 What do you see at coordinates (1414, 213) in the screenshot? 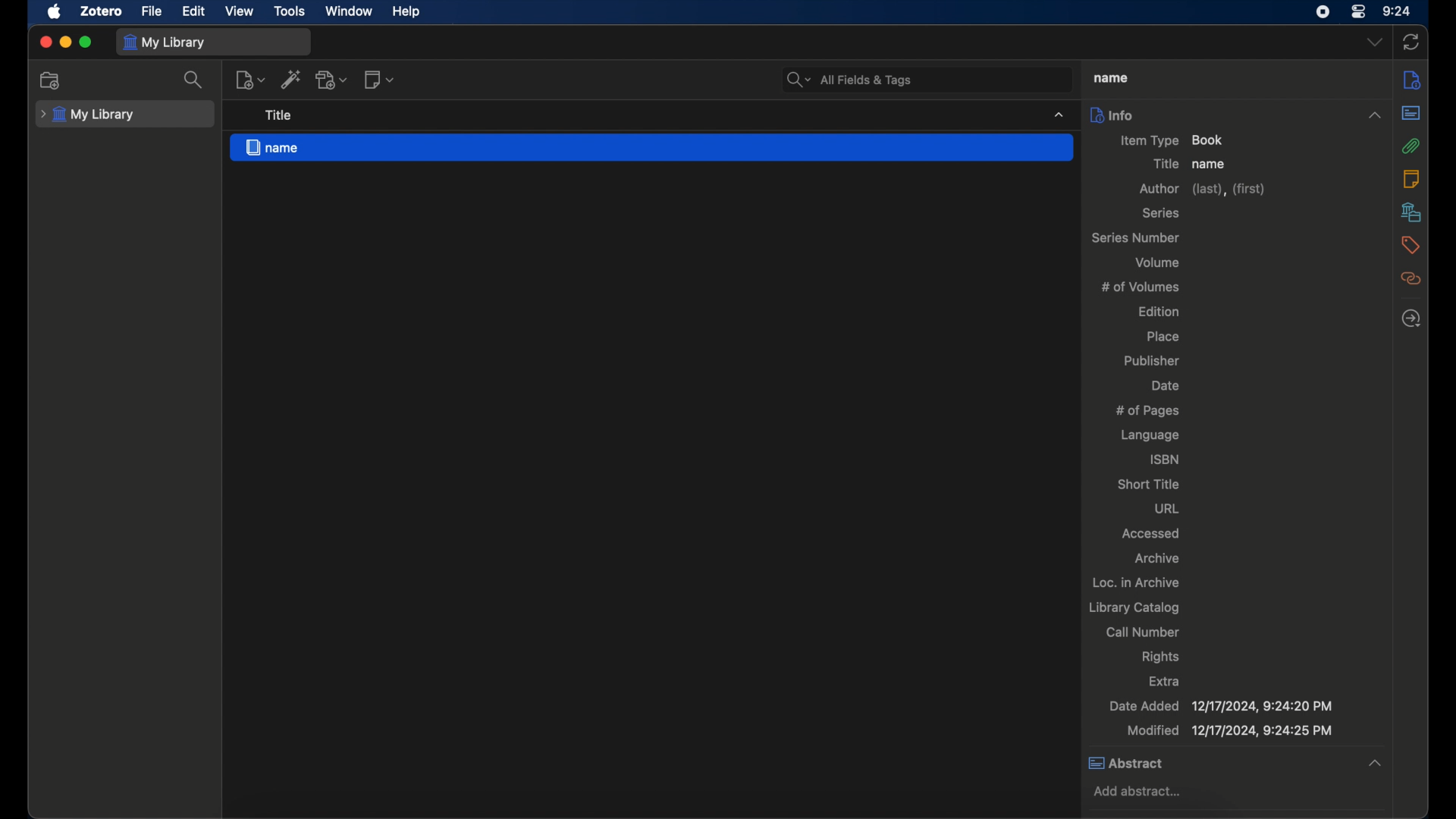
I see `libraries` at bounding box center [1414, 213].